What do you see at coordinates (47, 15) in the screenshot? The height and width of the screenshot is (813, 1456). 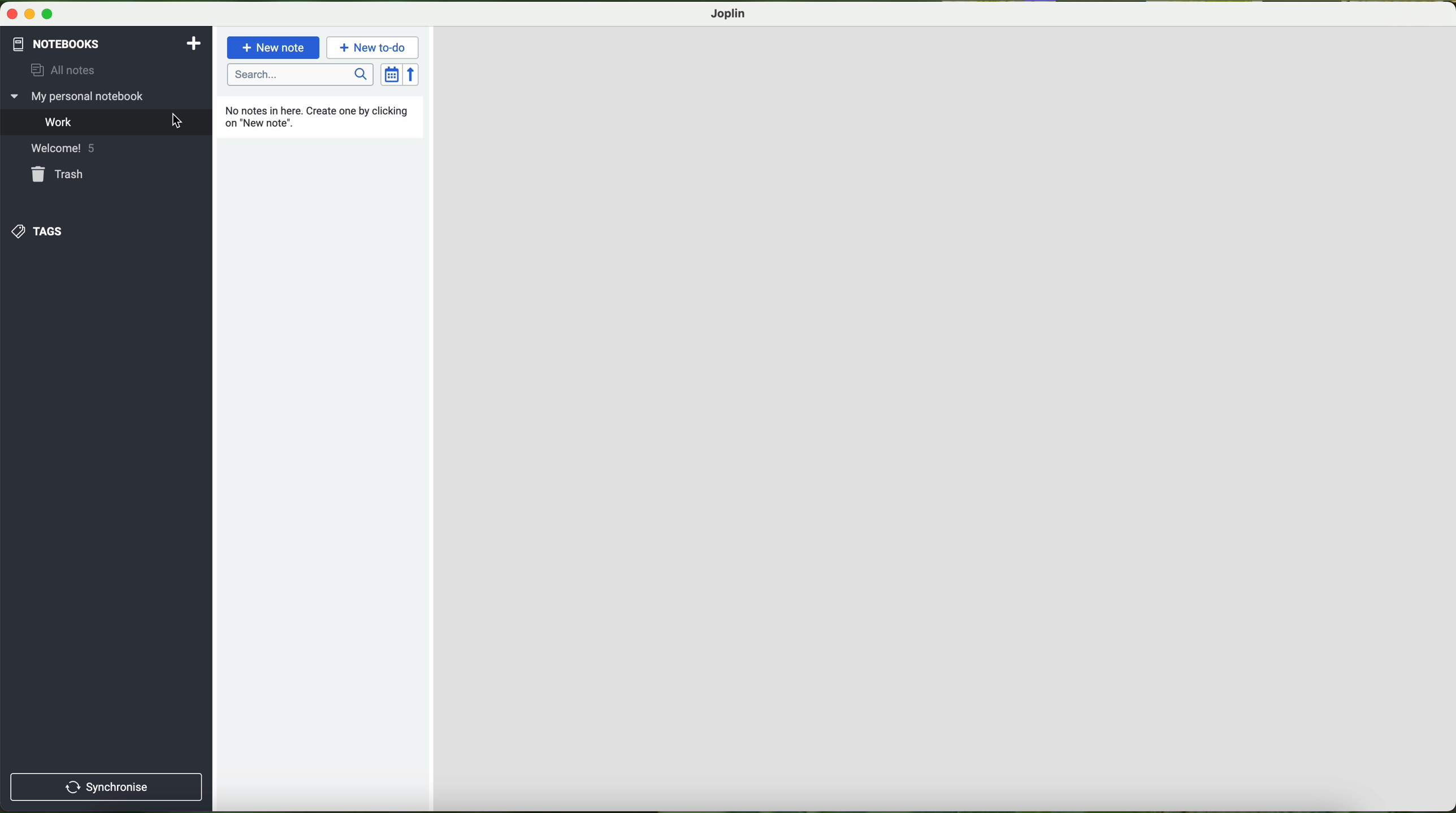 I see `maximize` at bounding box center [47, 15].